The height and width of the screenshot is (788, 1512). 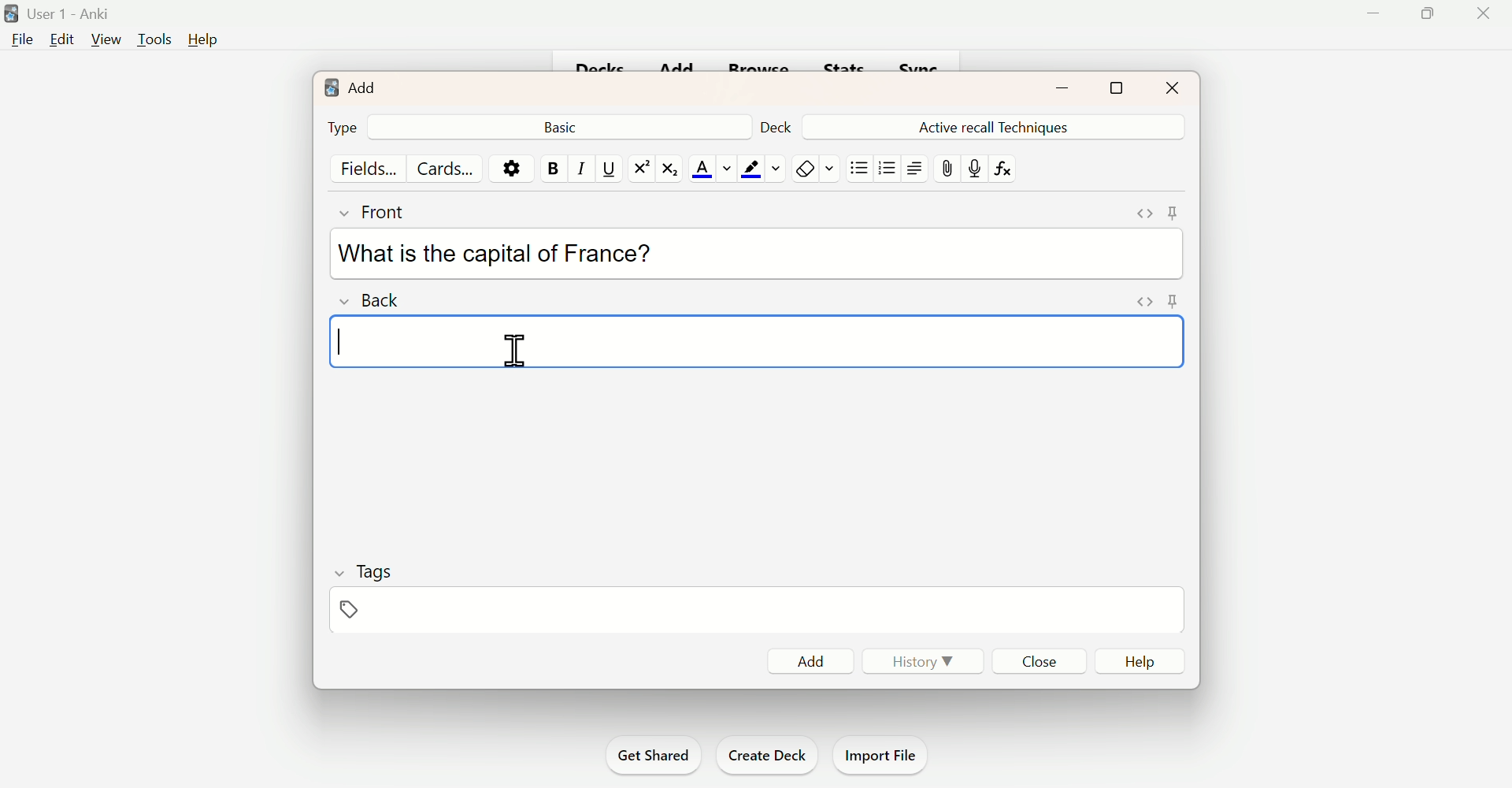 What do you see at coordinates (809, 662) in the screenshot?
I see `Add` at bounding box center [809, 662].